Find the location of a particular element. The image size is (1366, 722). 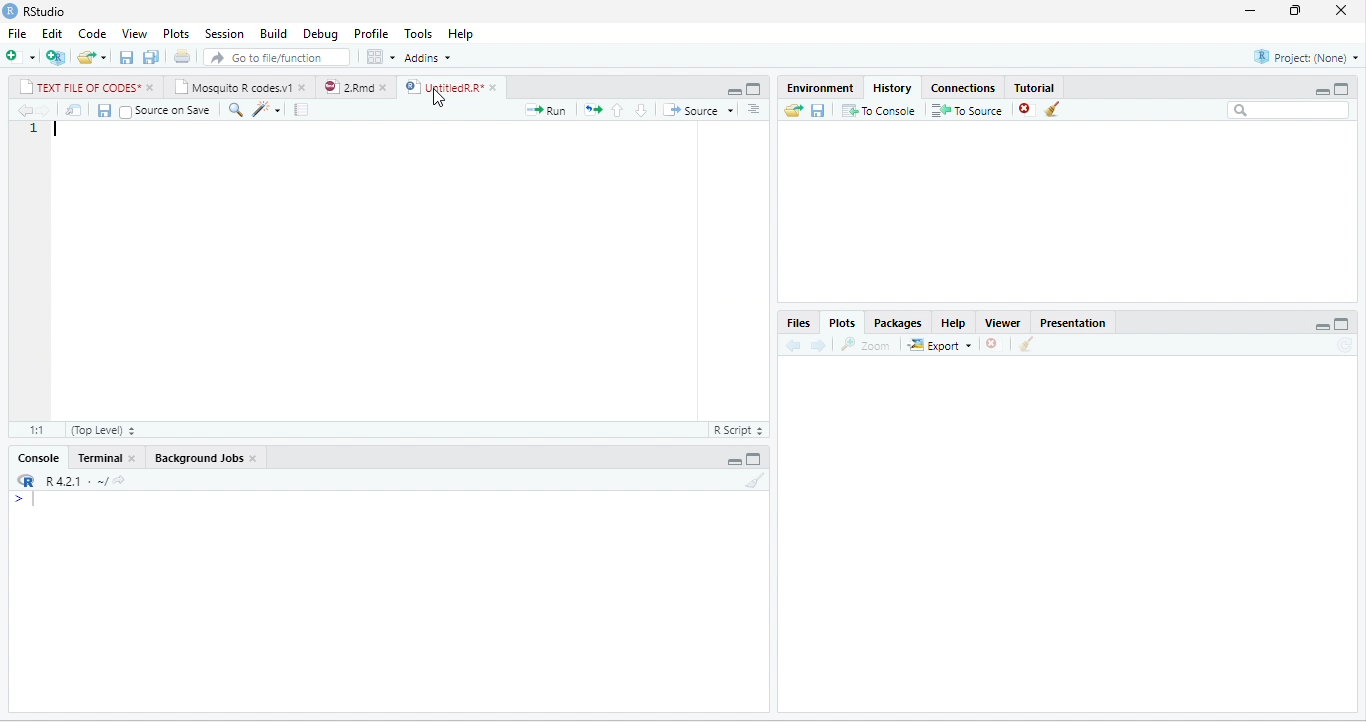

search bar is located at coordinates (1290, 110).